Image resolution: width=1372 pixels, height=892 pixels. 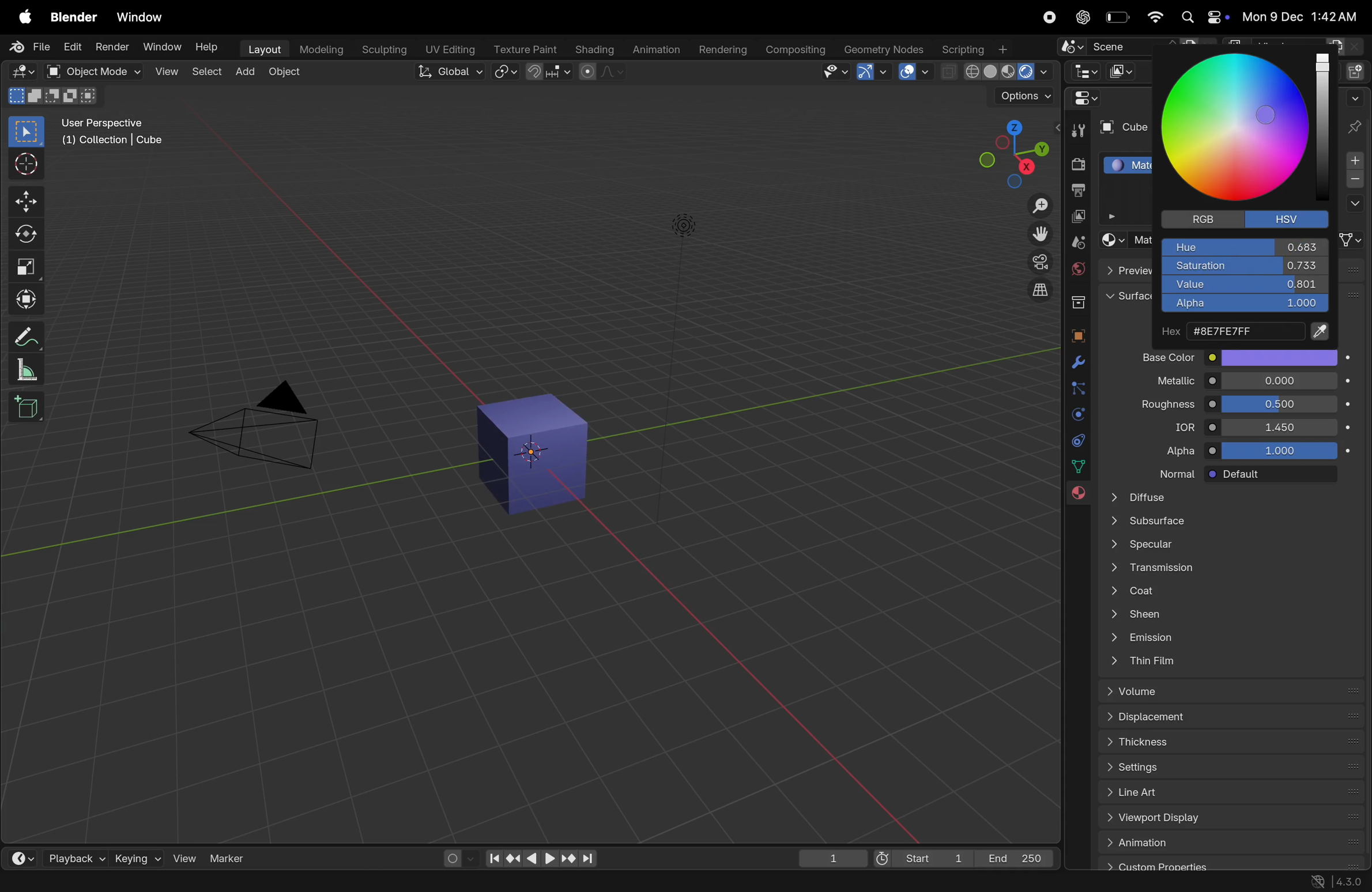 What do you see at coordinates (1226, 792) in the screenshot?
I see `line art` at bounding box center [1226, 792].